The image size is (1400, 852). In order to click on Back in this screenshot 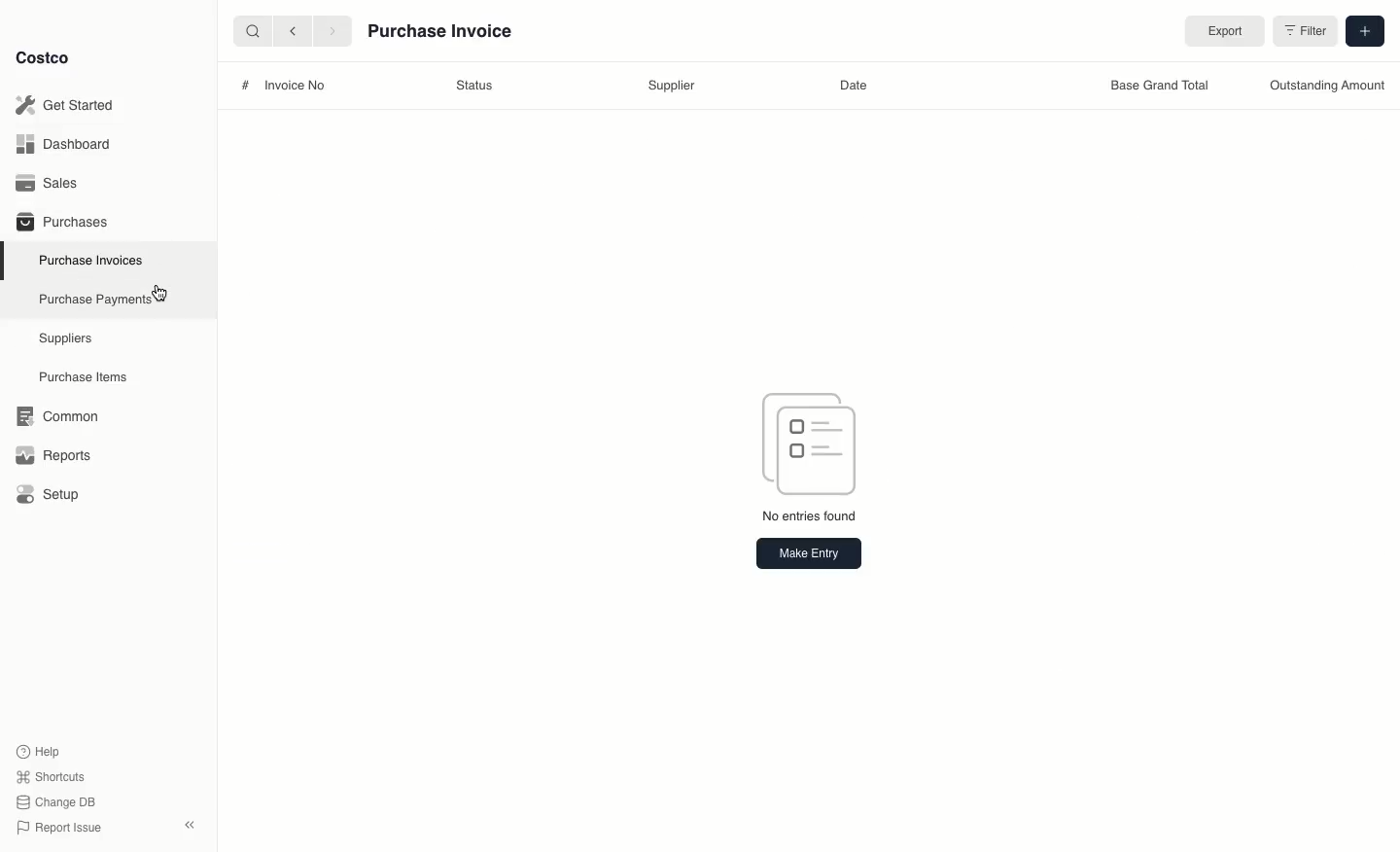, I will do `click(293, 30)`.